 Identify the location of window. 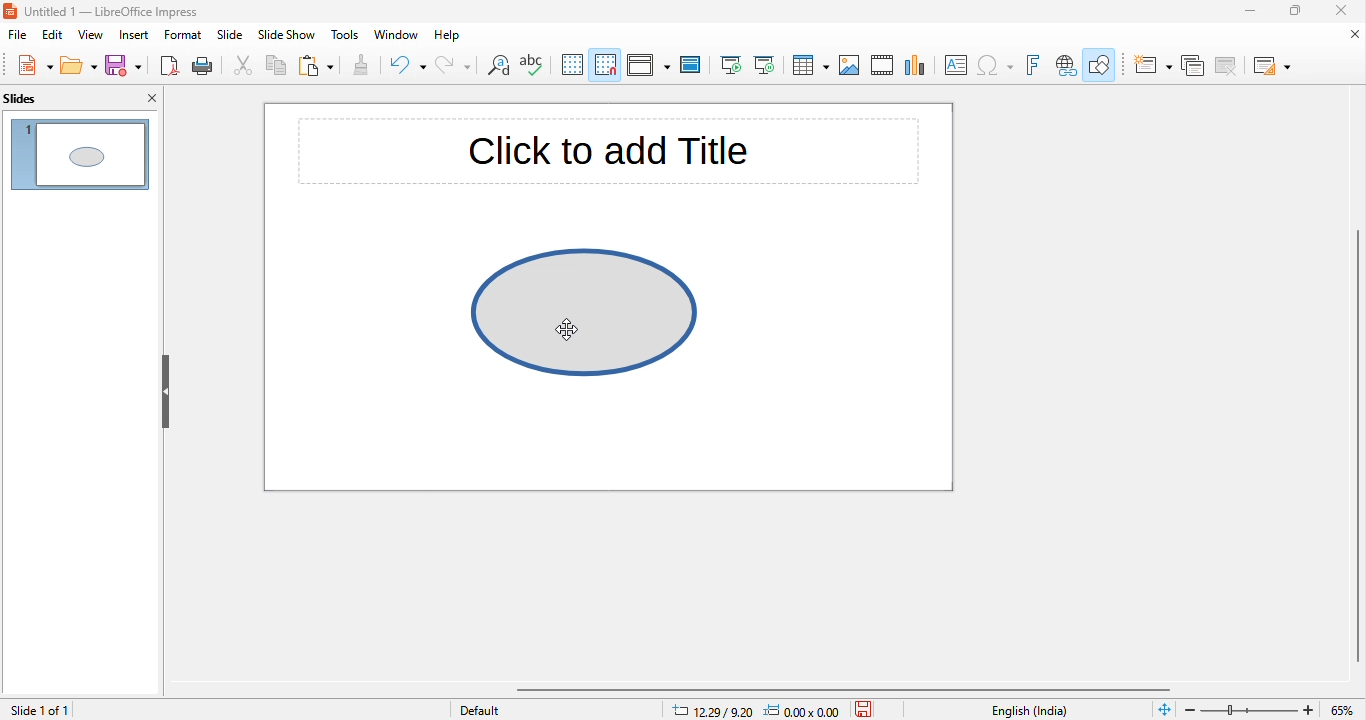
(399, 35).